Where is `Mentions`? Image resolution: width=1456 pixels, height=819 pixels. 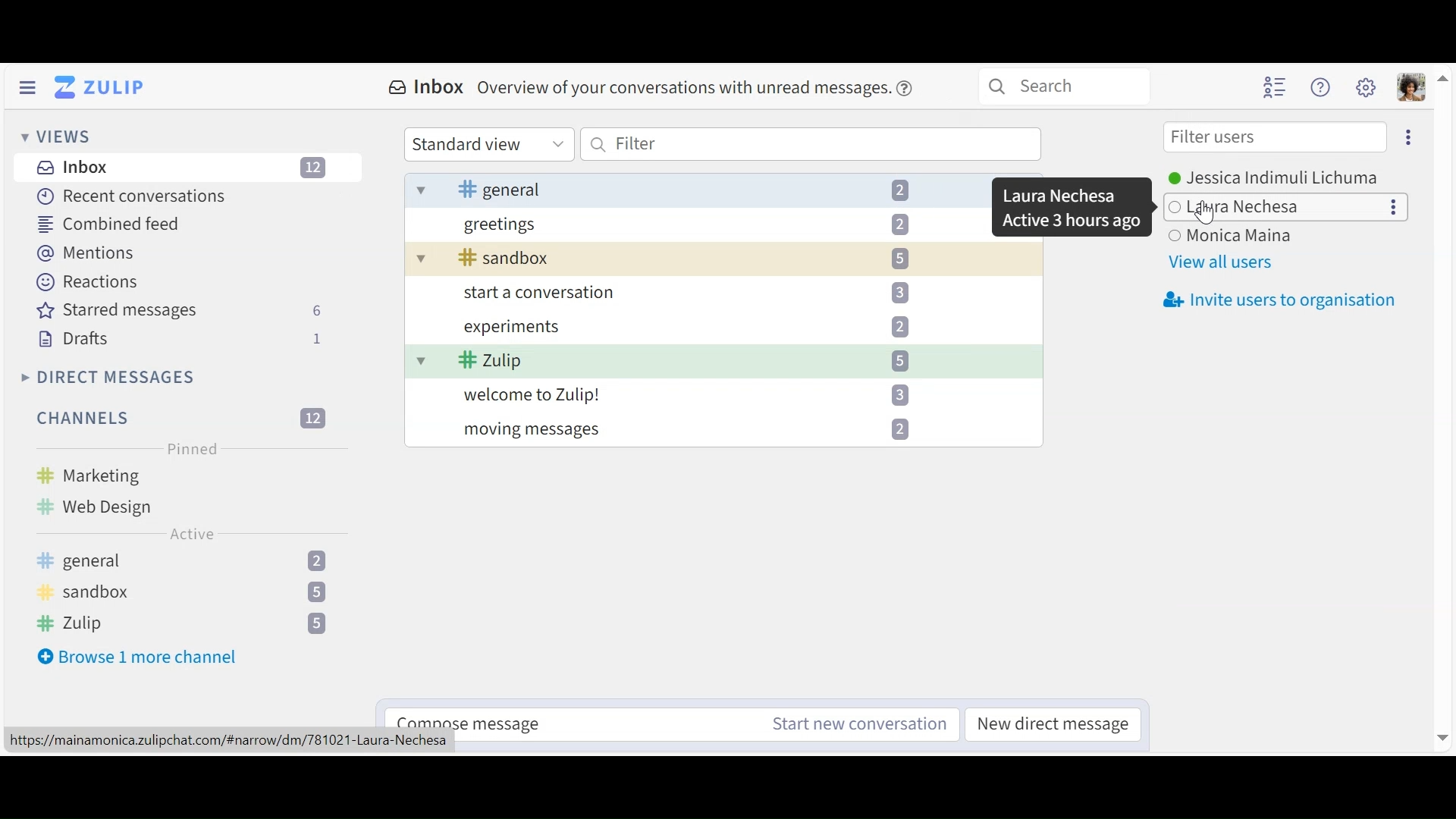
Mentions is located at coordinates (88, 253).